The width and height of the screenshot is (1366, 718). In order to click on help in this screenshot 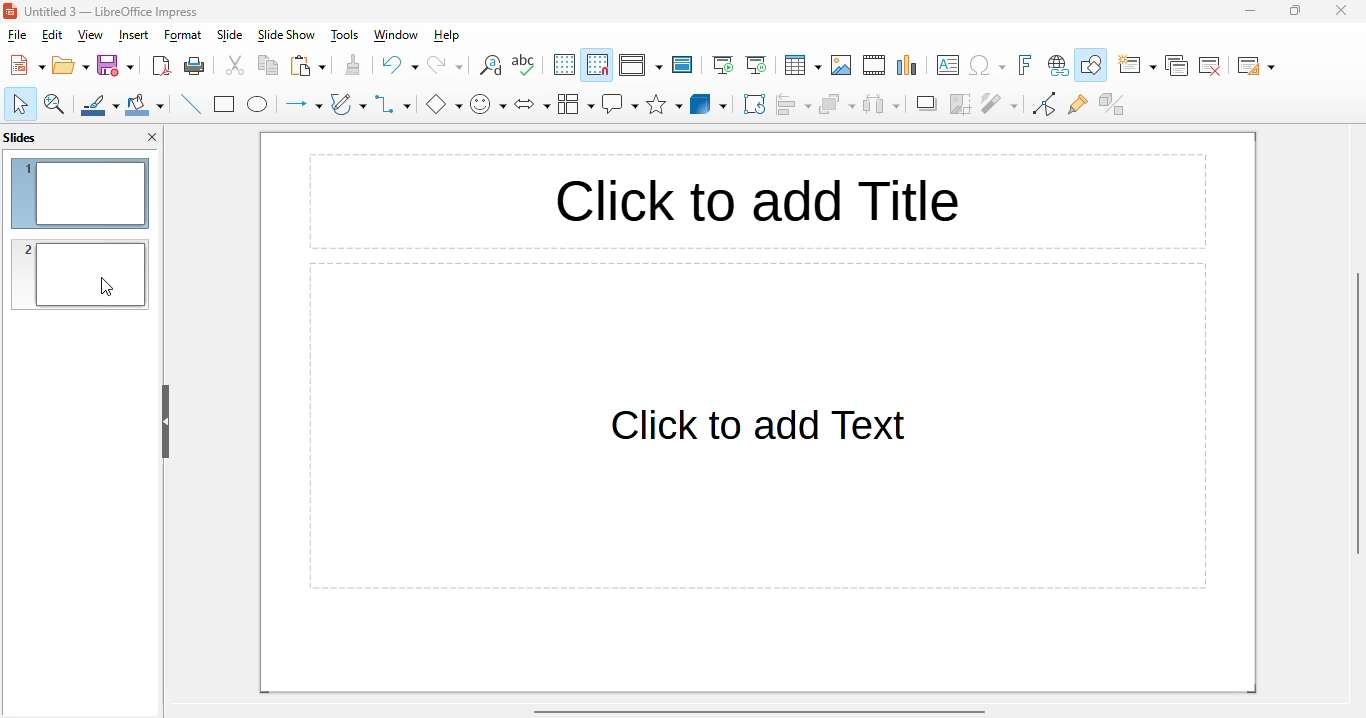, I will do `click(447, 36)`.